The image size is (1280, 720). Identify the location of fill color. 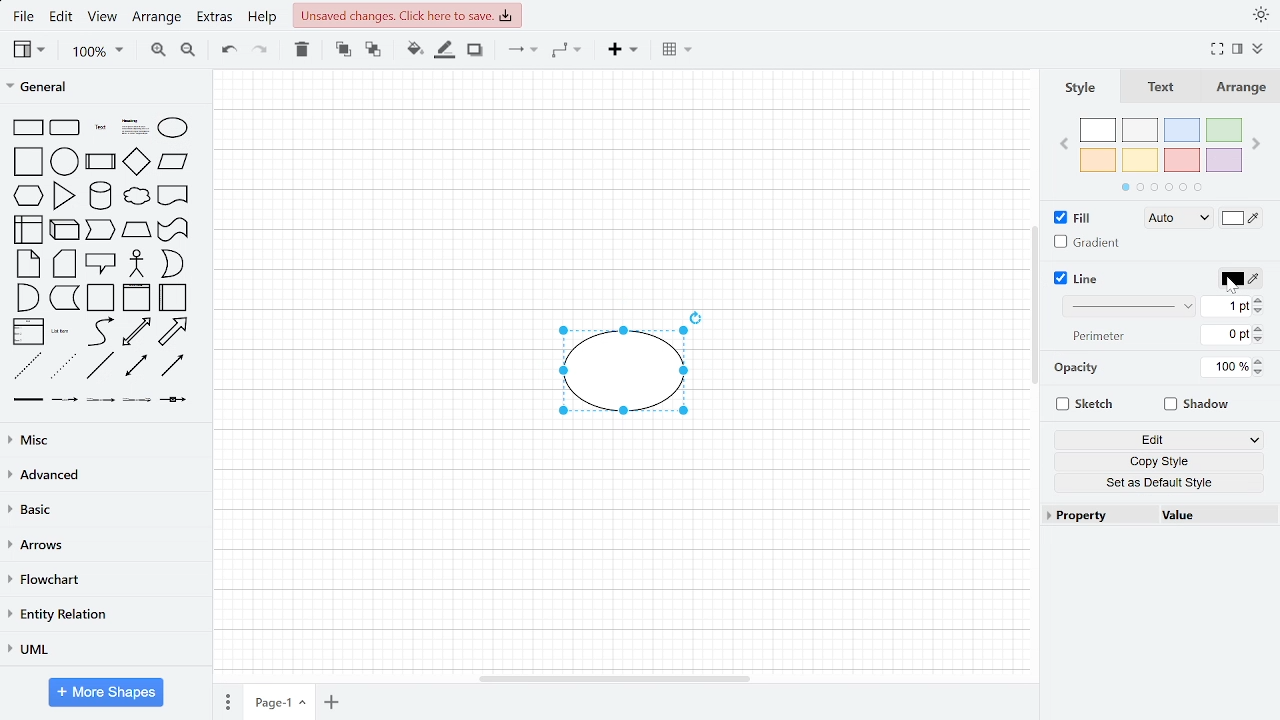
(414, 52).